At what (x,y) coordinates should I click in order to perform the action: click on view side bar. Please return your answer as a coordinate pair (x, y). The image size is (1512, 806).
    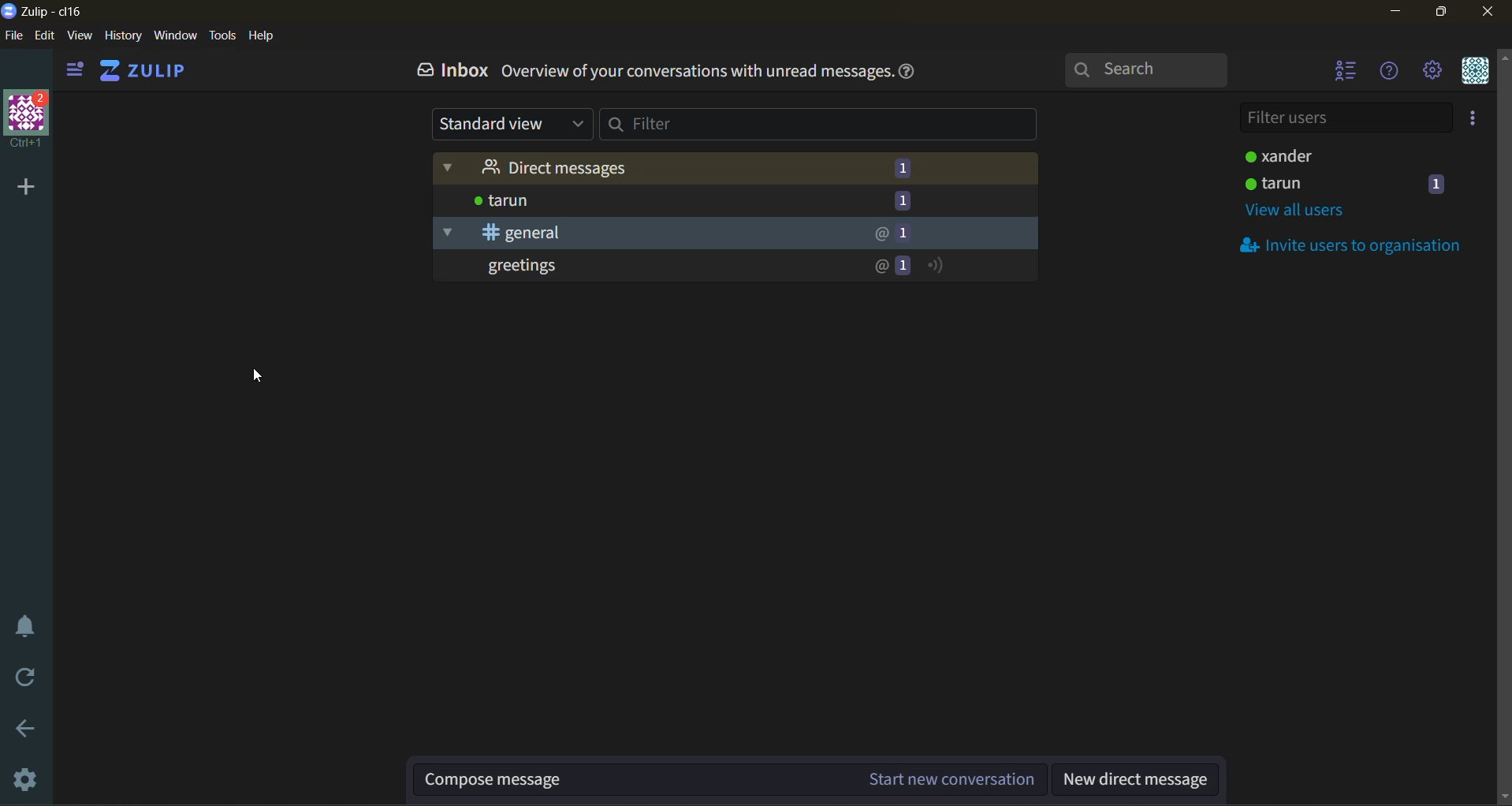
    Looking at the image, I should click on (76, 71).